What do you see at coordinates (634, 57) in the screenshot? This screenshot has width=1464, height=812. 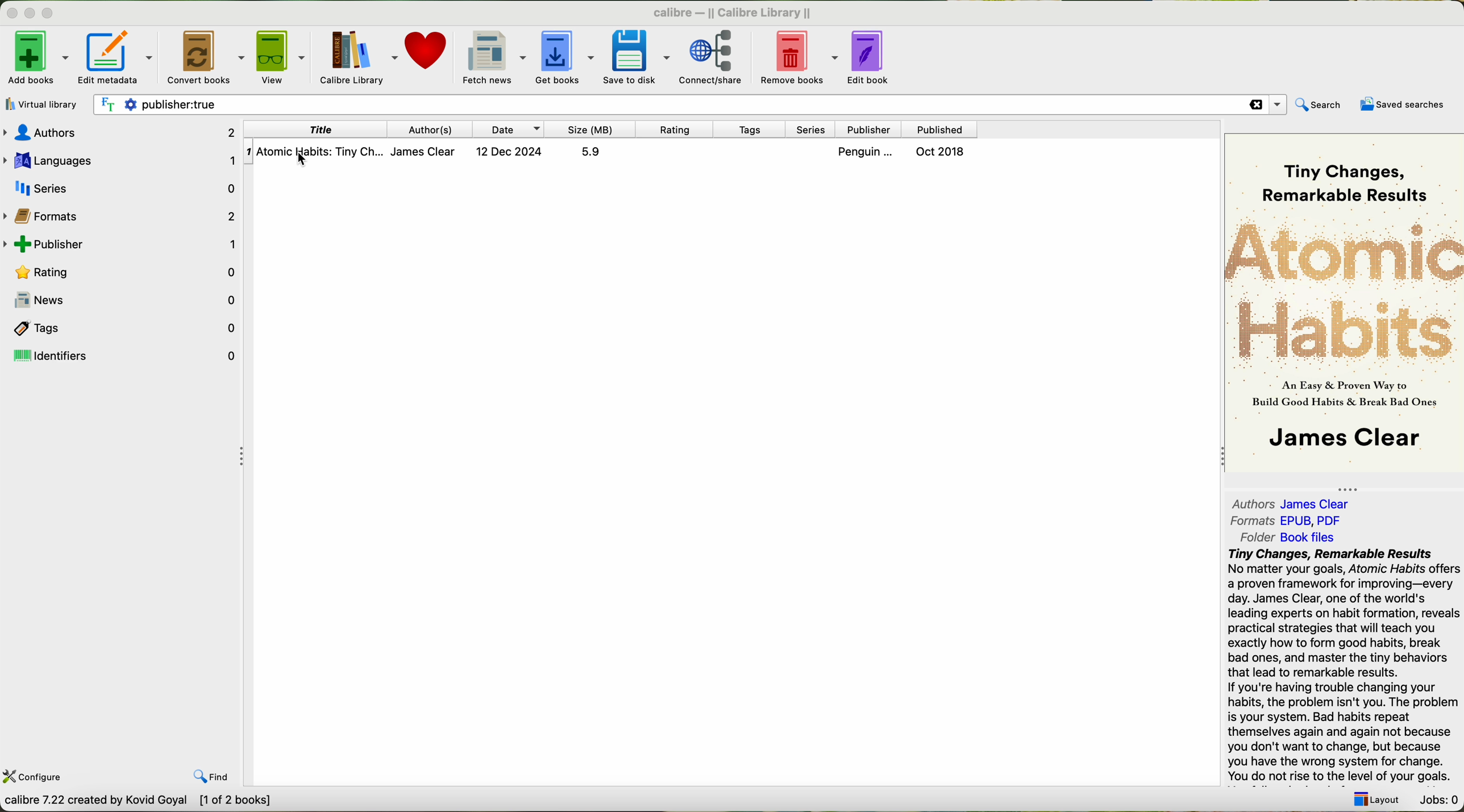 I see `save to disk` at bounding box center [634, 57].